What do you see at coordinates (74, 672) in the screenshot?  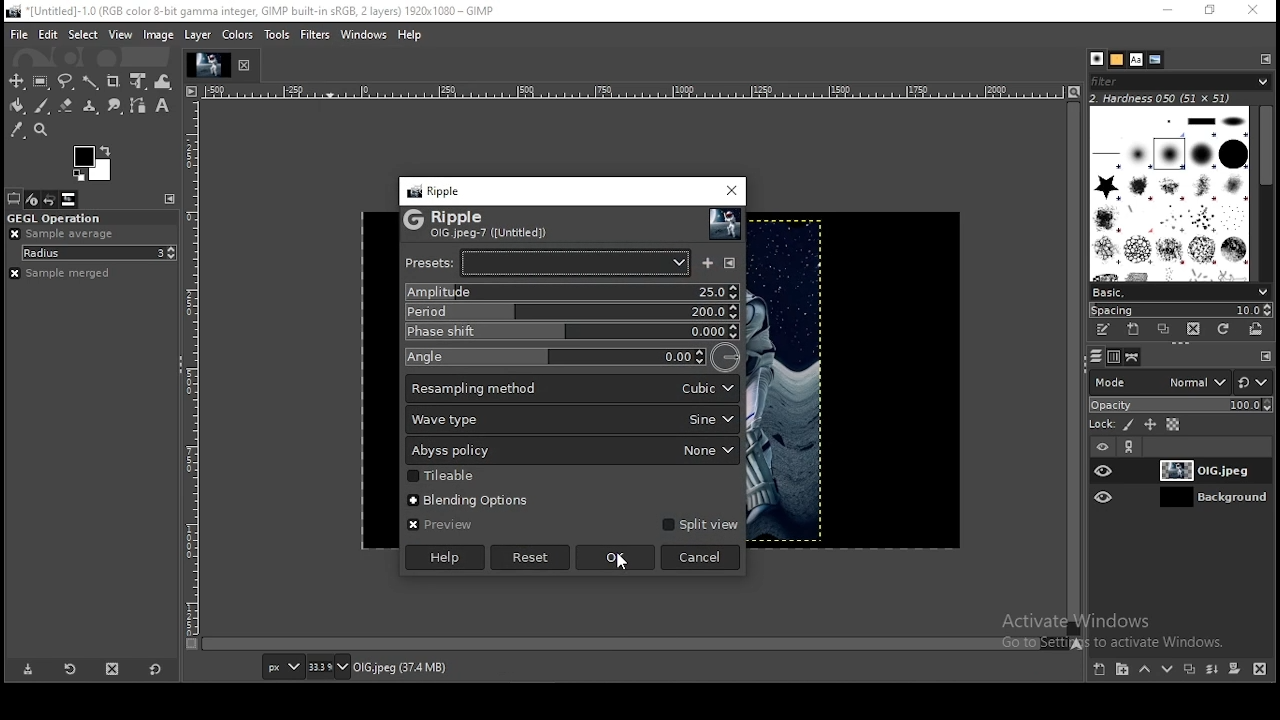 I see `restore tool preset` at bounding box center [74, 672].